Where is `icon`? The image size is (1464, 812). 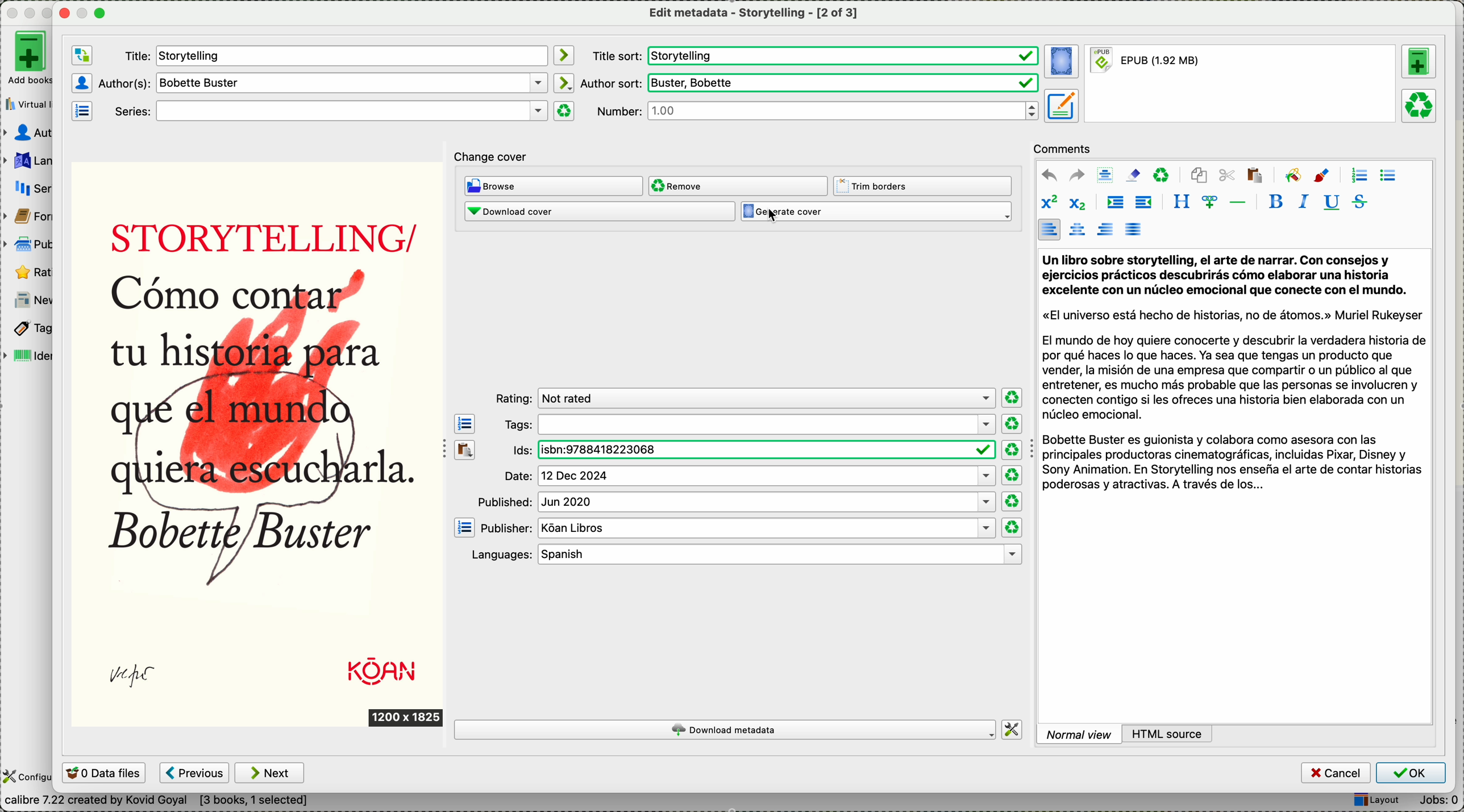 icon is located at coordinates (81, 113).